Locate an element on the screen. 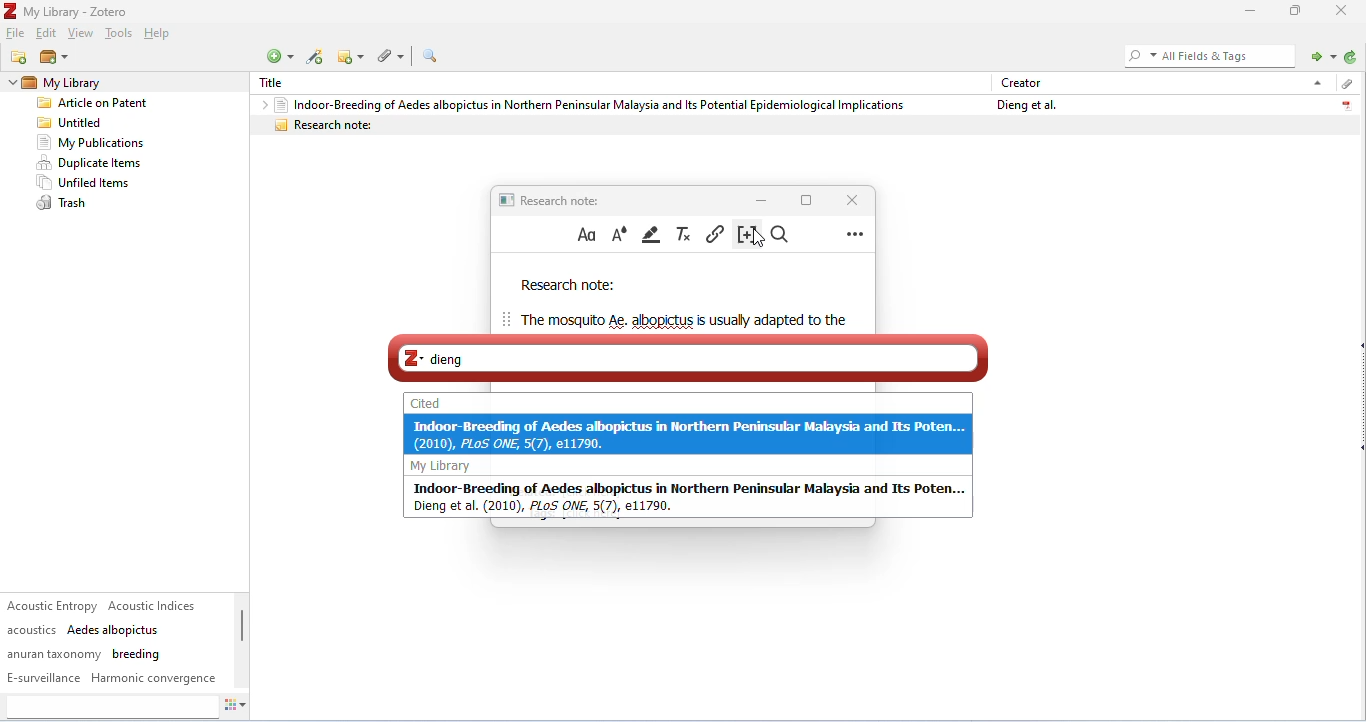  all fields and tagd is located at coordinates (1207, 55).